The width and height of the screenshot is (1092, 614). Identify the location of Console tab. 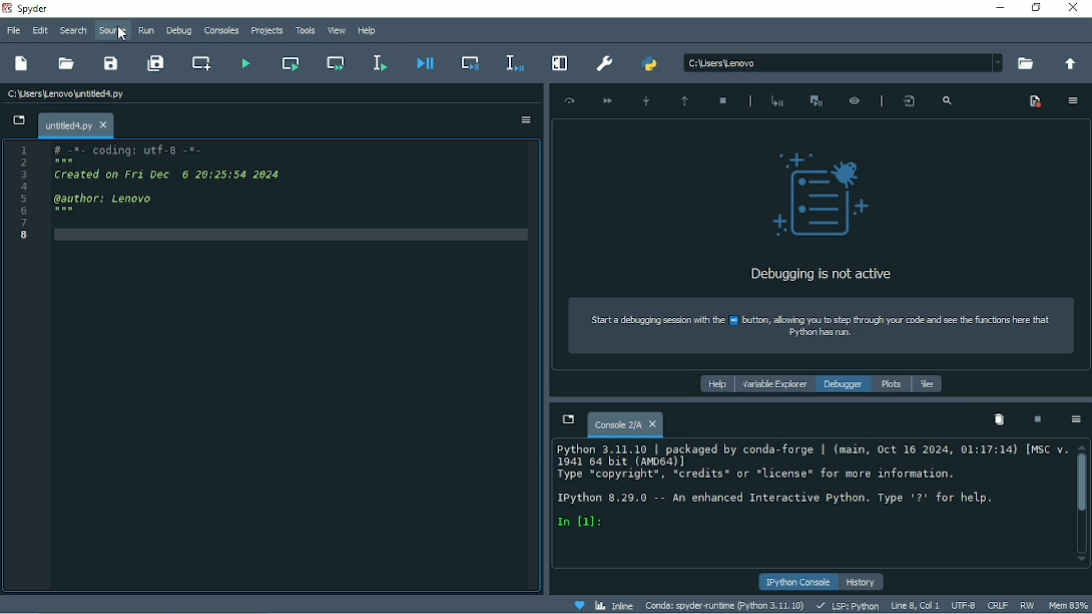
(625, 425).